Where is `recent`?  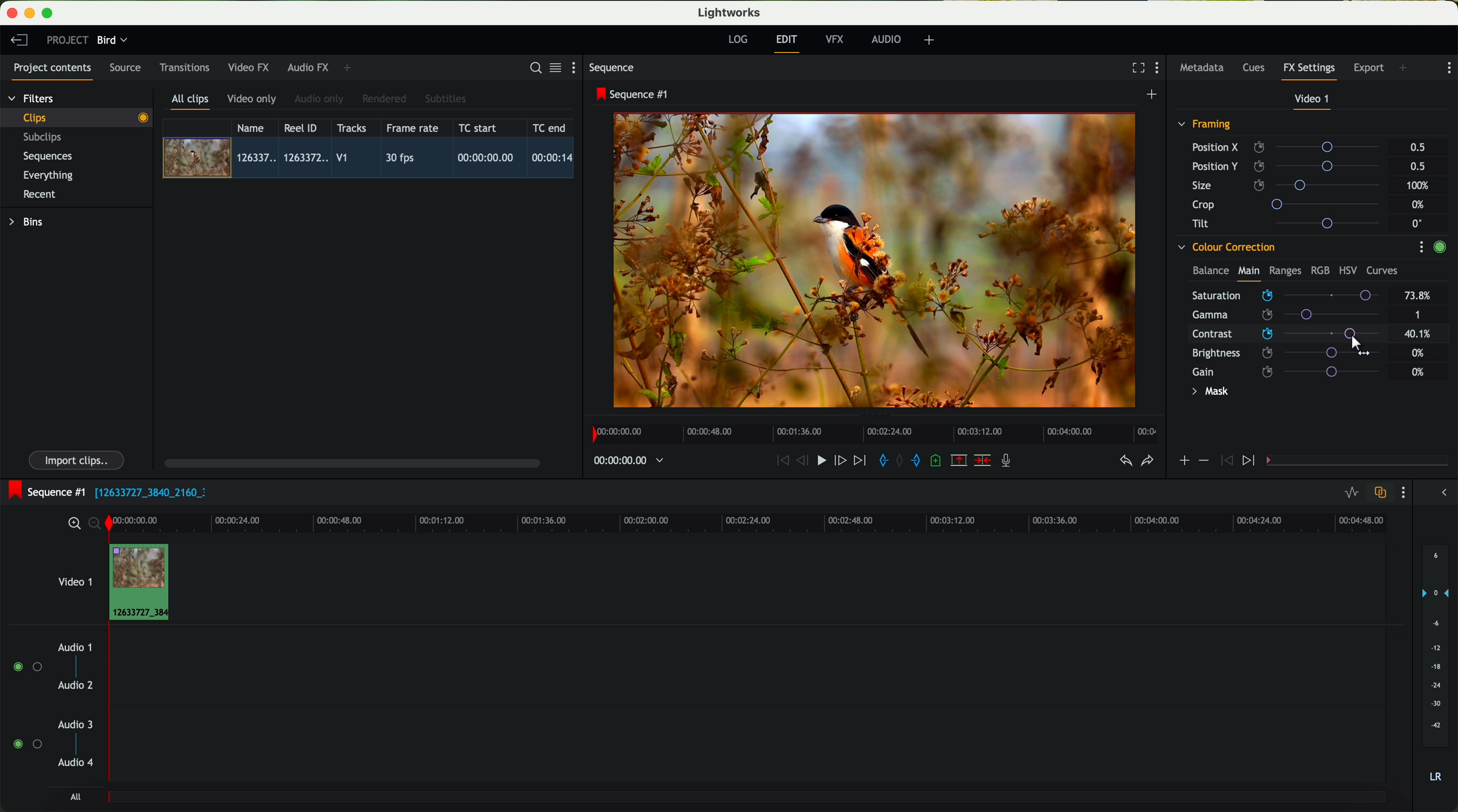
recent is located at coordinates (40, 196).